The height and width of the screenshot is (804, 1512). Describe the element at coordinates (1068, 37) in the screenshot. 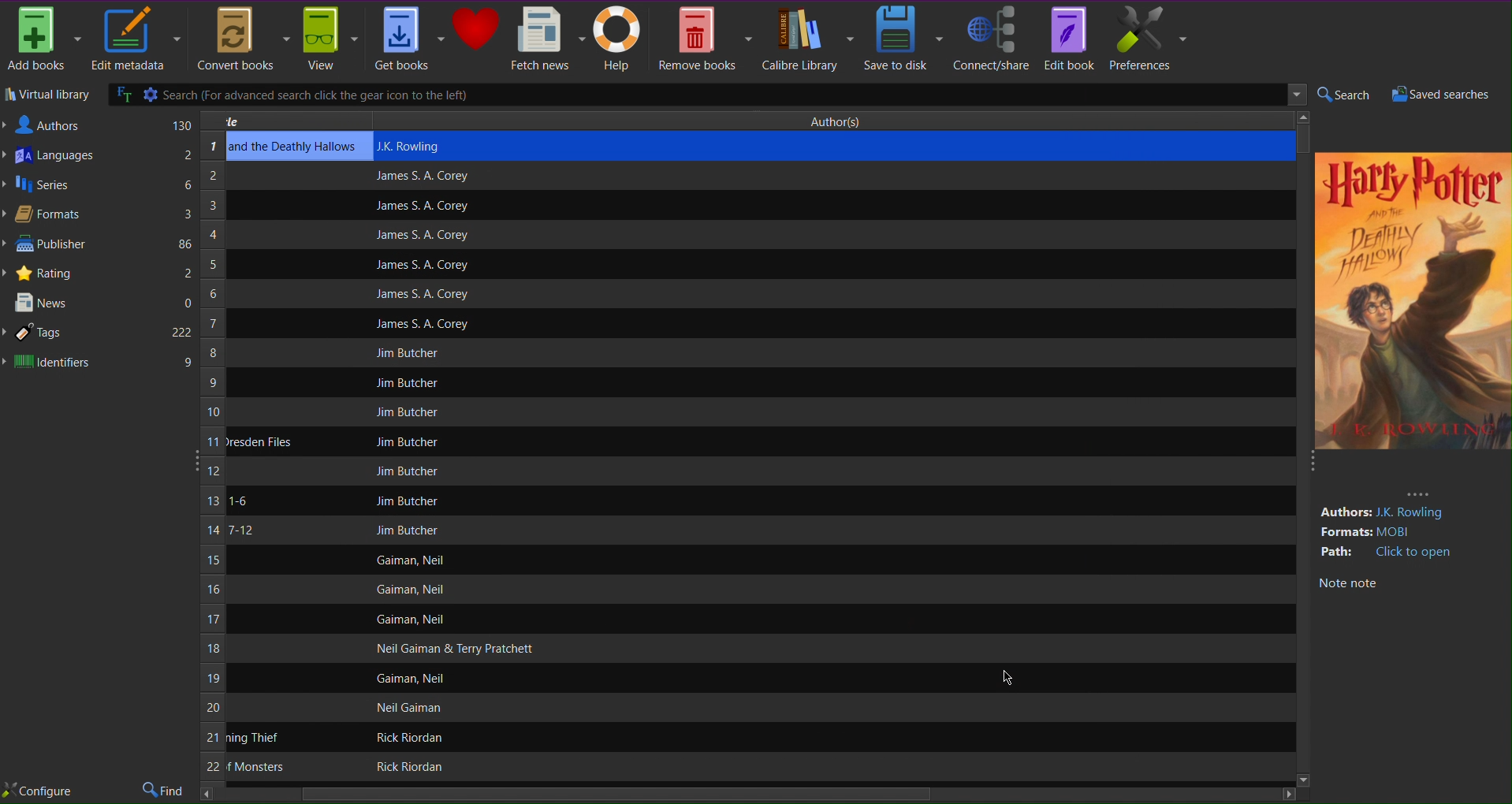

I see `Edit book` at that location.